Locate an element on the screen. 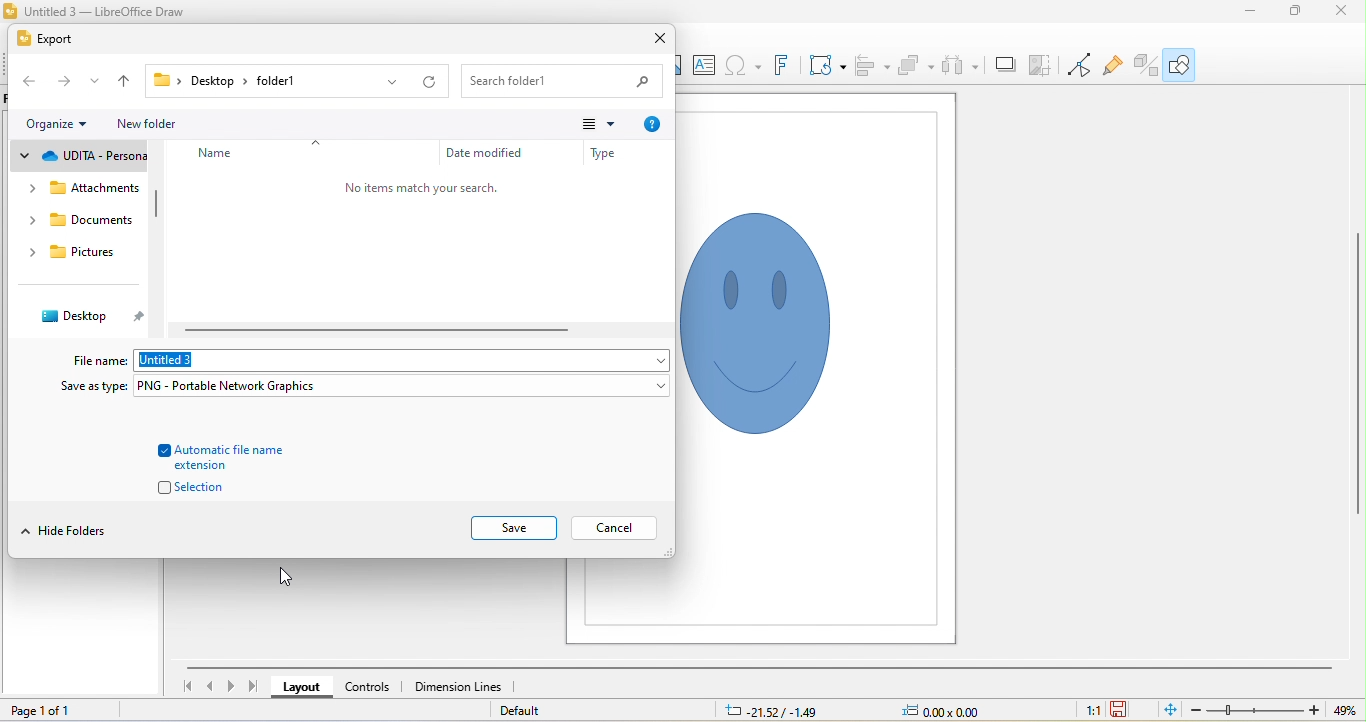 This screenshot has width=1366, height=722. drop down is located at coordinates (35, 253).